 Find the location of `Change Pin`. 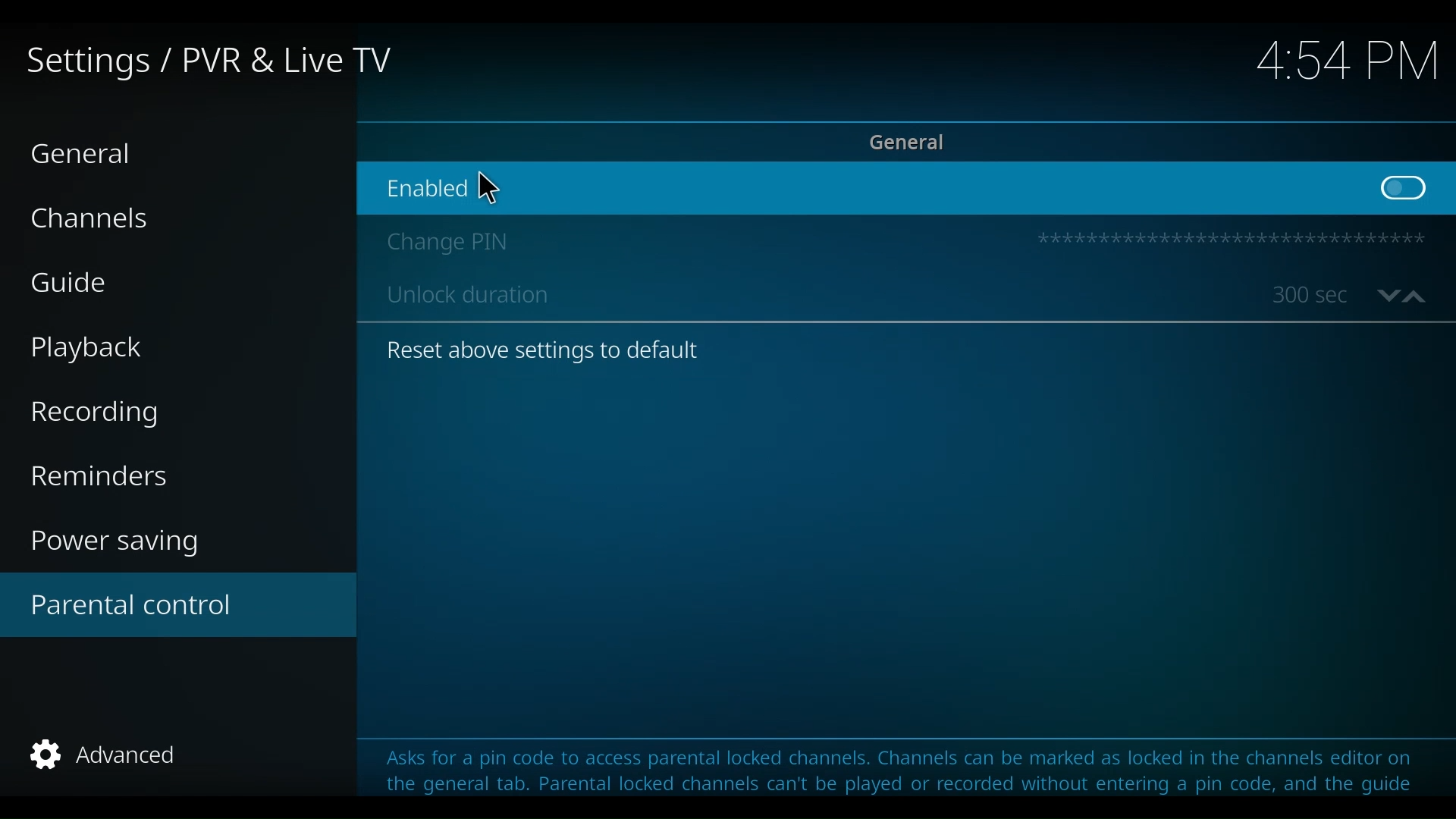

Change Pin is located at coordinates (699, 240).